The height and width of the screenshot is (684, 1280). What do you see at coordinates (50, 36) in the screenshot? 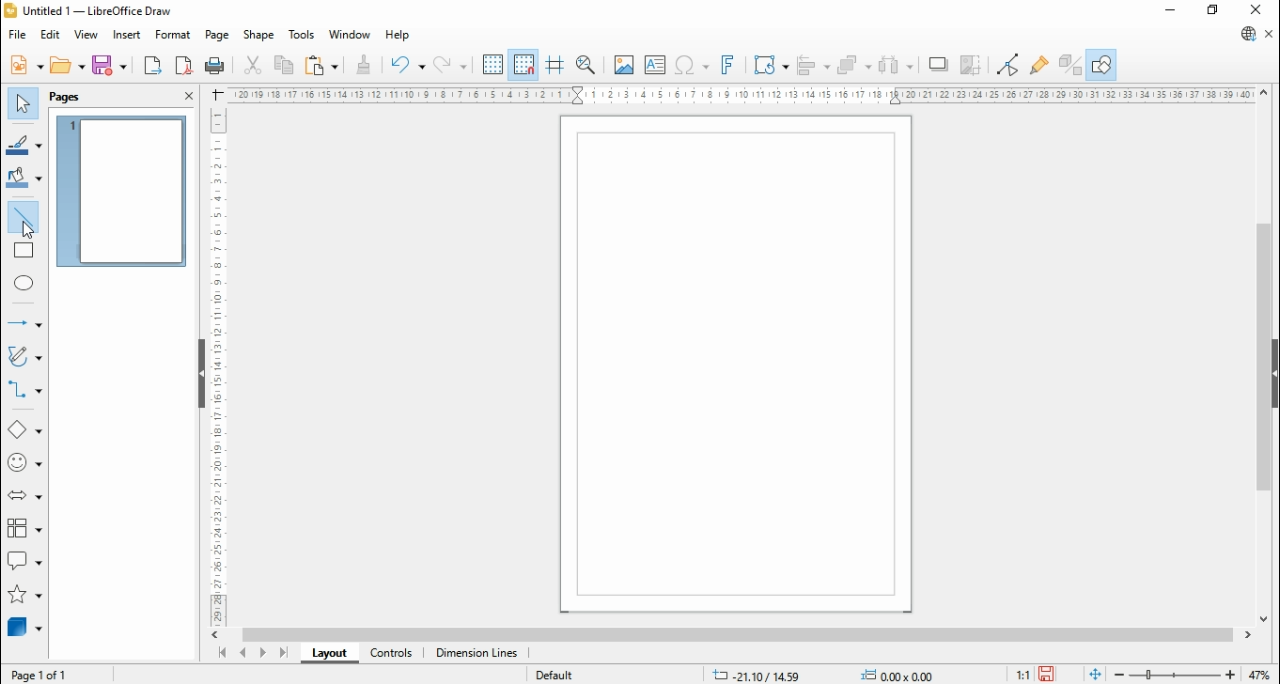
I see `edit` at bounding box center [50, 36].